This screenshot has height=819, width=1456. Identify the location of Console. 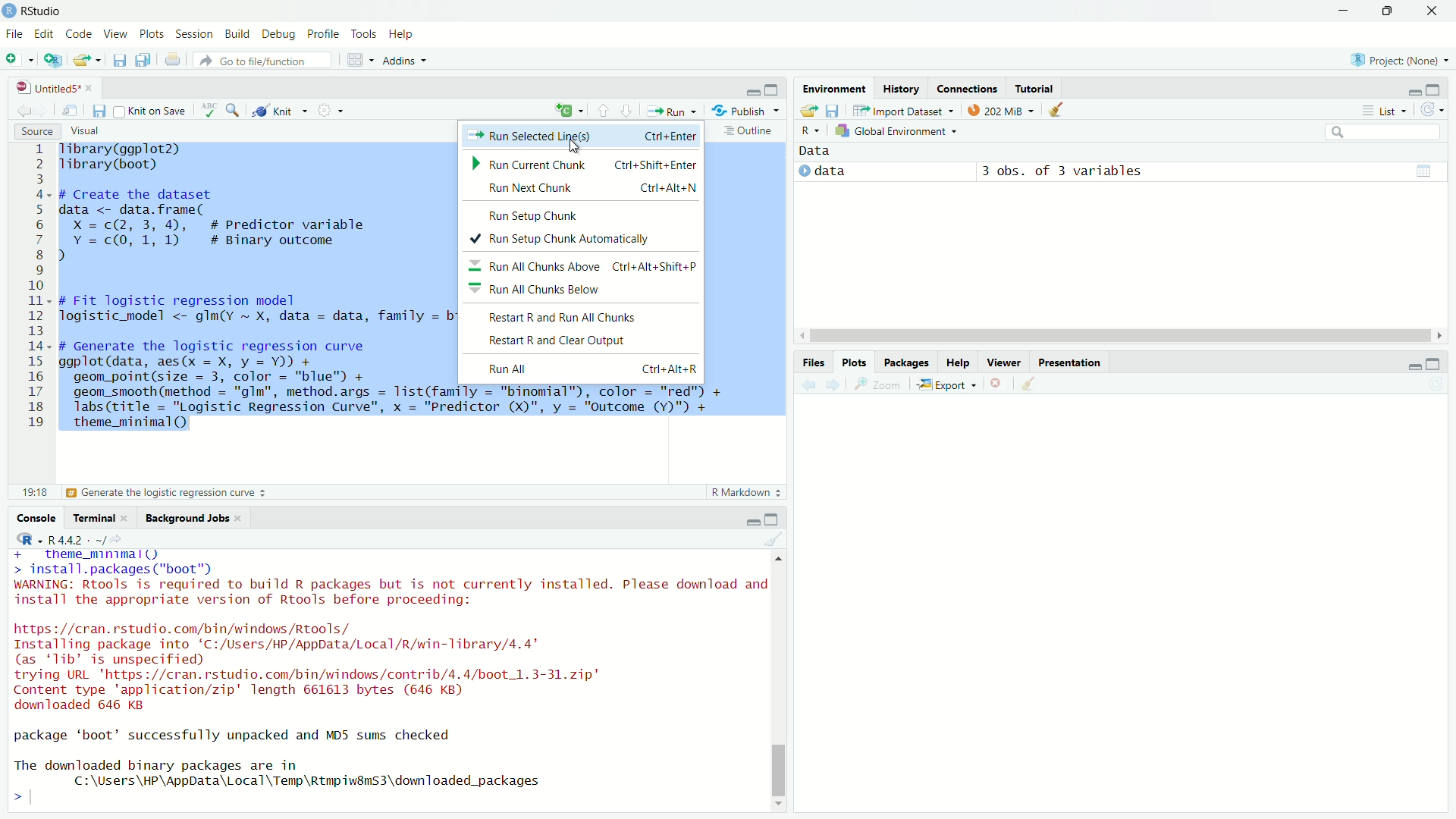
(36, 517).